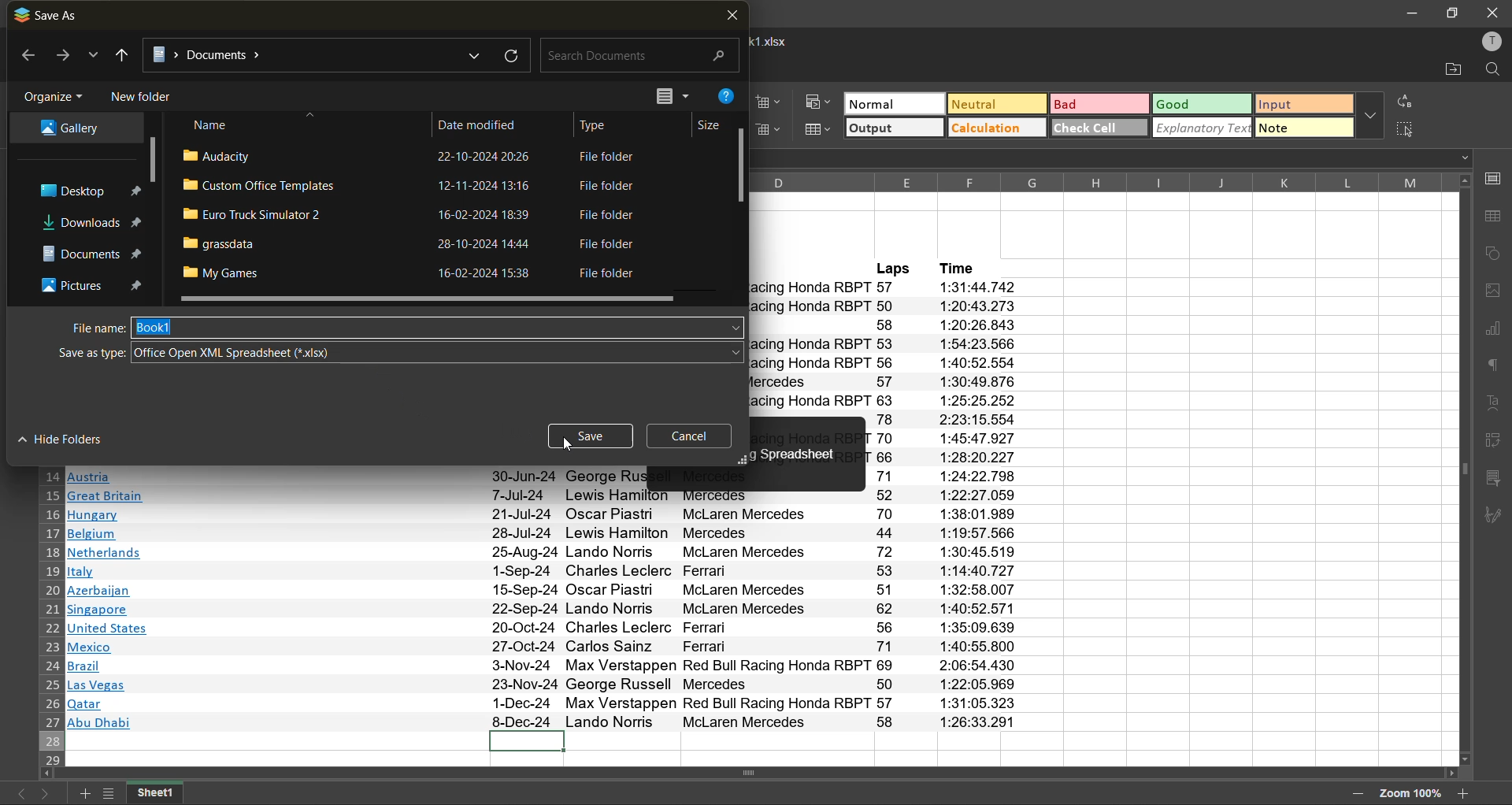  What do you see at coordinates (1463, 186) in the screenshot?
I see `move up` at bounding box center [1463, 186].